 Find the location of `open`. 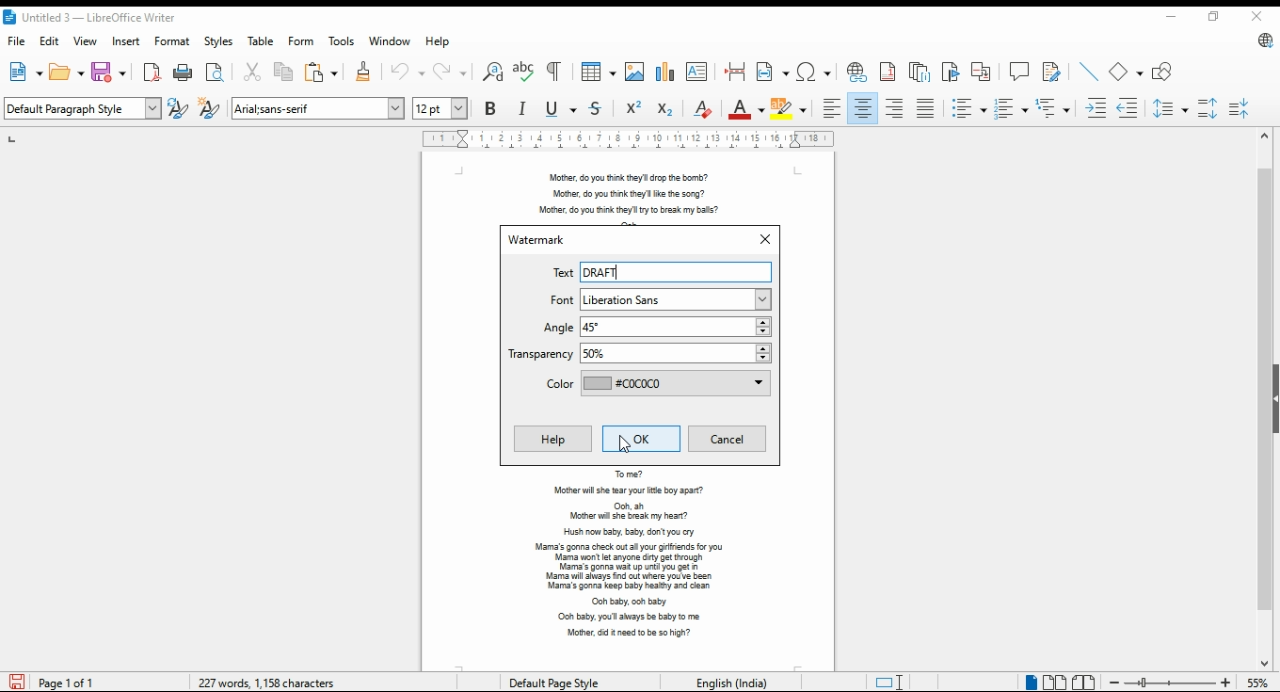

open is located at coordinates (66, 72).